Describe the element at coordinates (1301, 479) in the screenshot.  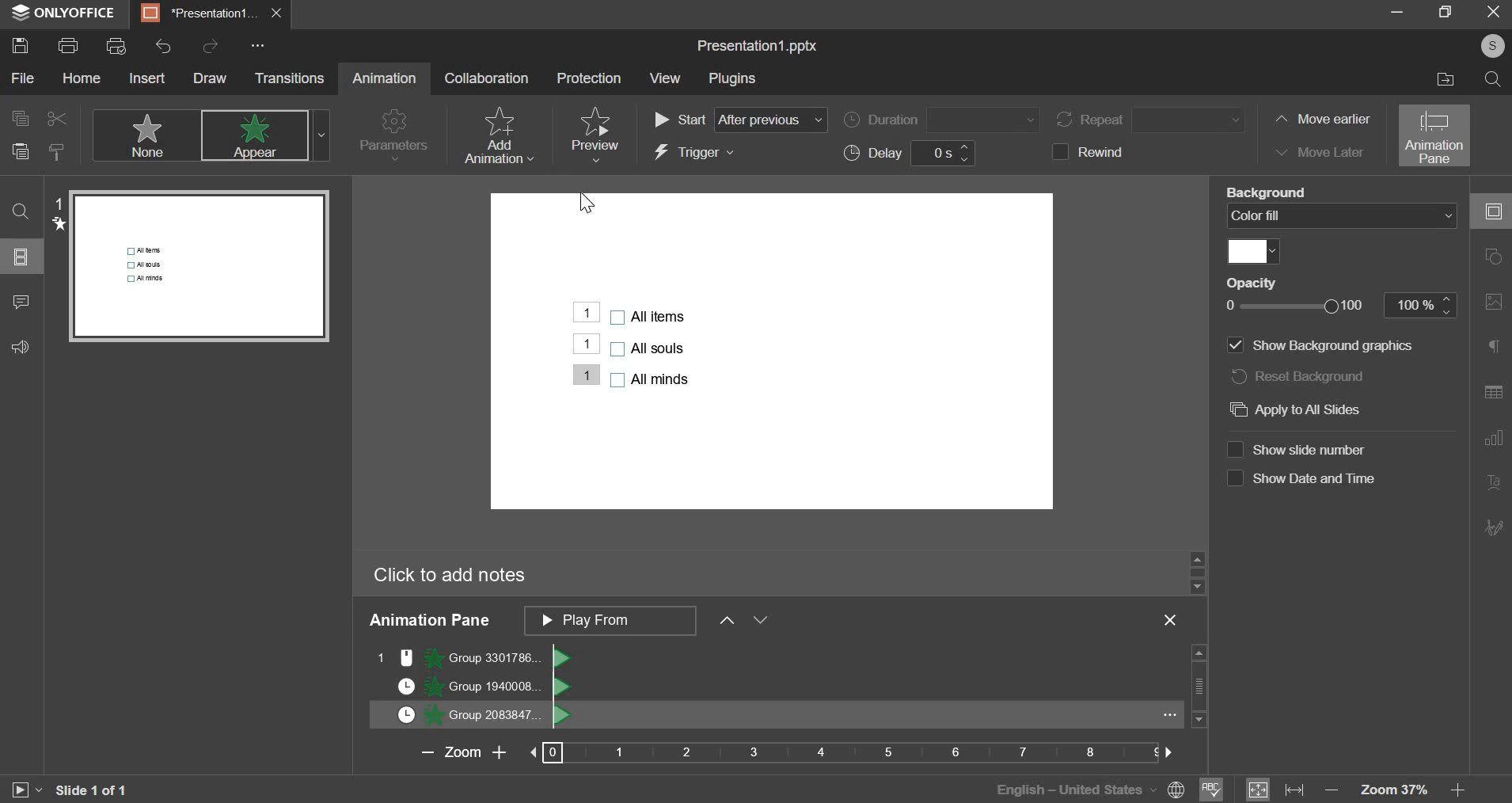
I see `show date and time` at that location.